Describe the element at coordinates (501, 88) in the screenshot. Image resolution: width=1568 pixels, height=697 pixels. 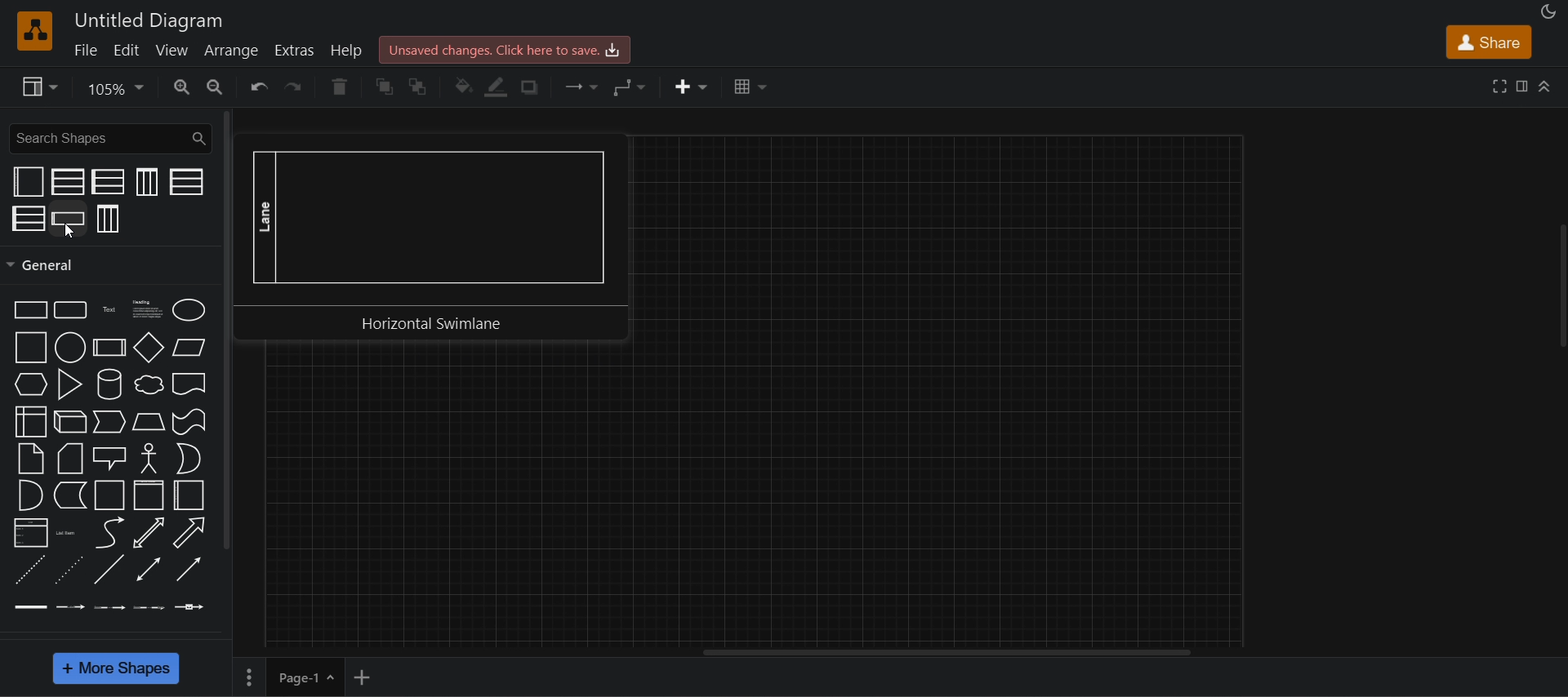
I see `line color` at that location.